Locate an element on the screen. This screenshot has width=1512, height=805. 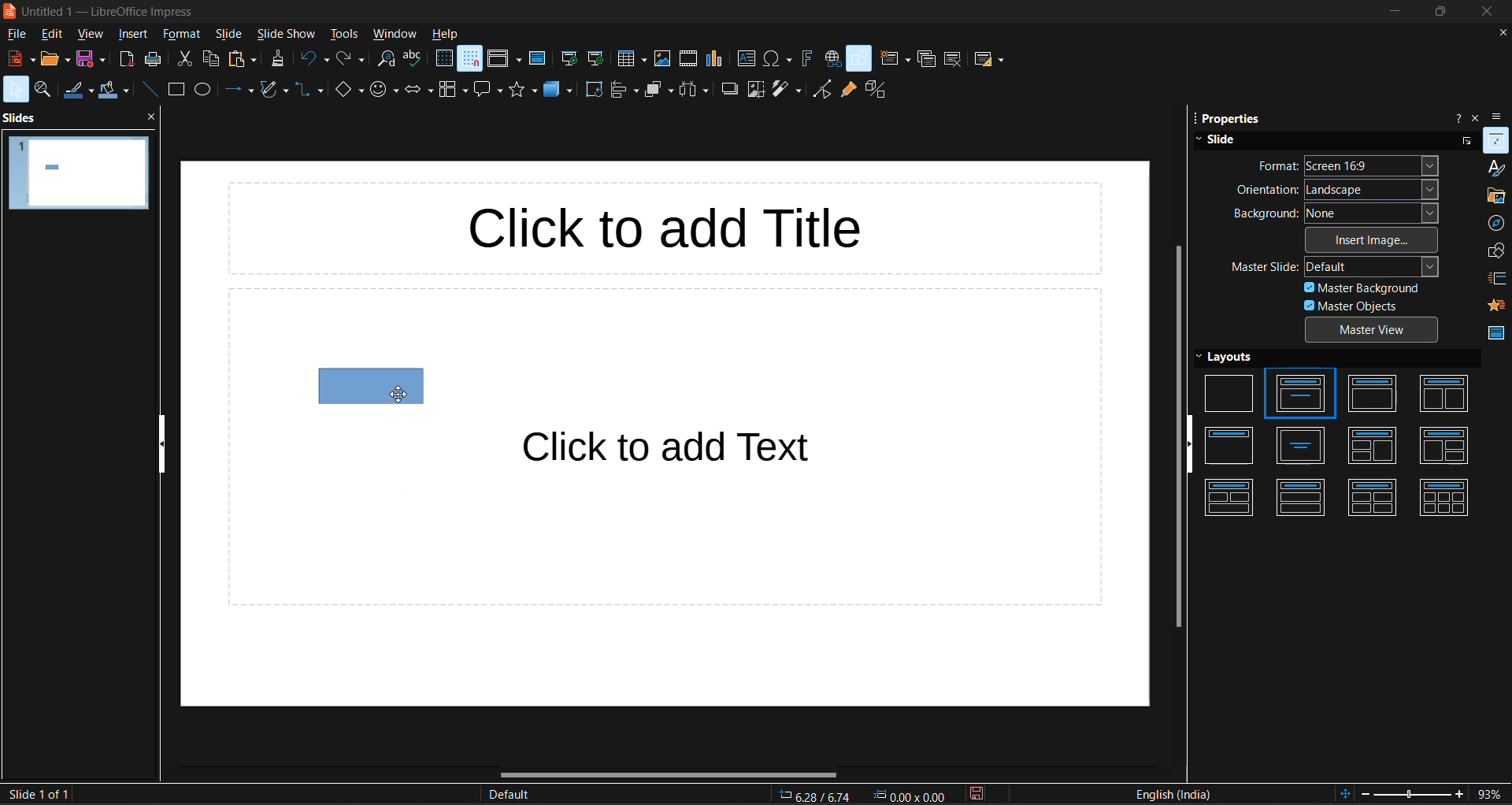
close sidebar is located at coordinates (1477, 116).